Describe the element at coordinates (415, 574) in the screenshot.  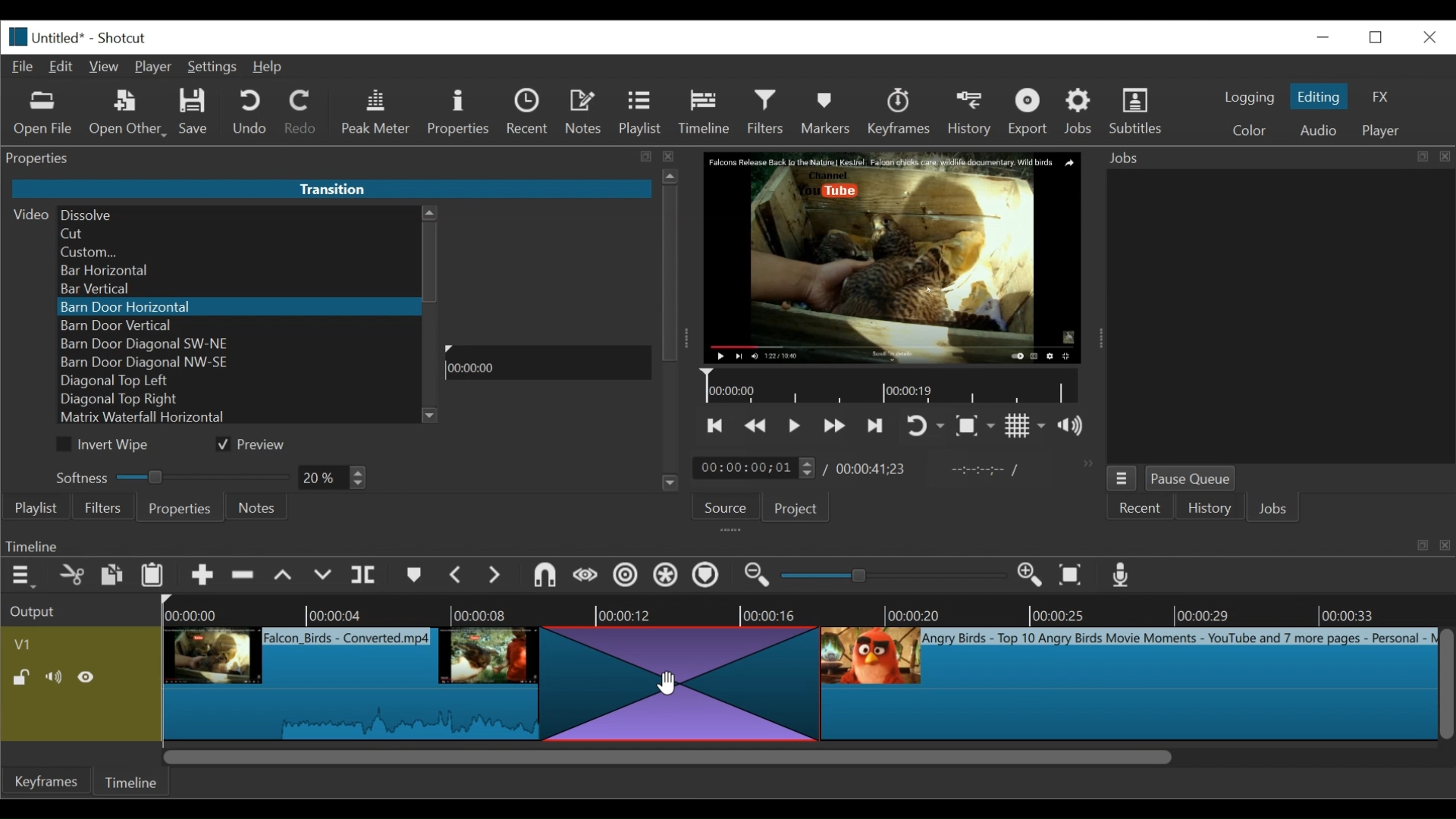
I see `Markers` at that location.